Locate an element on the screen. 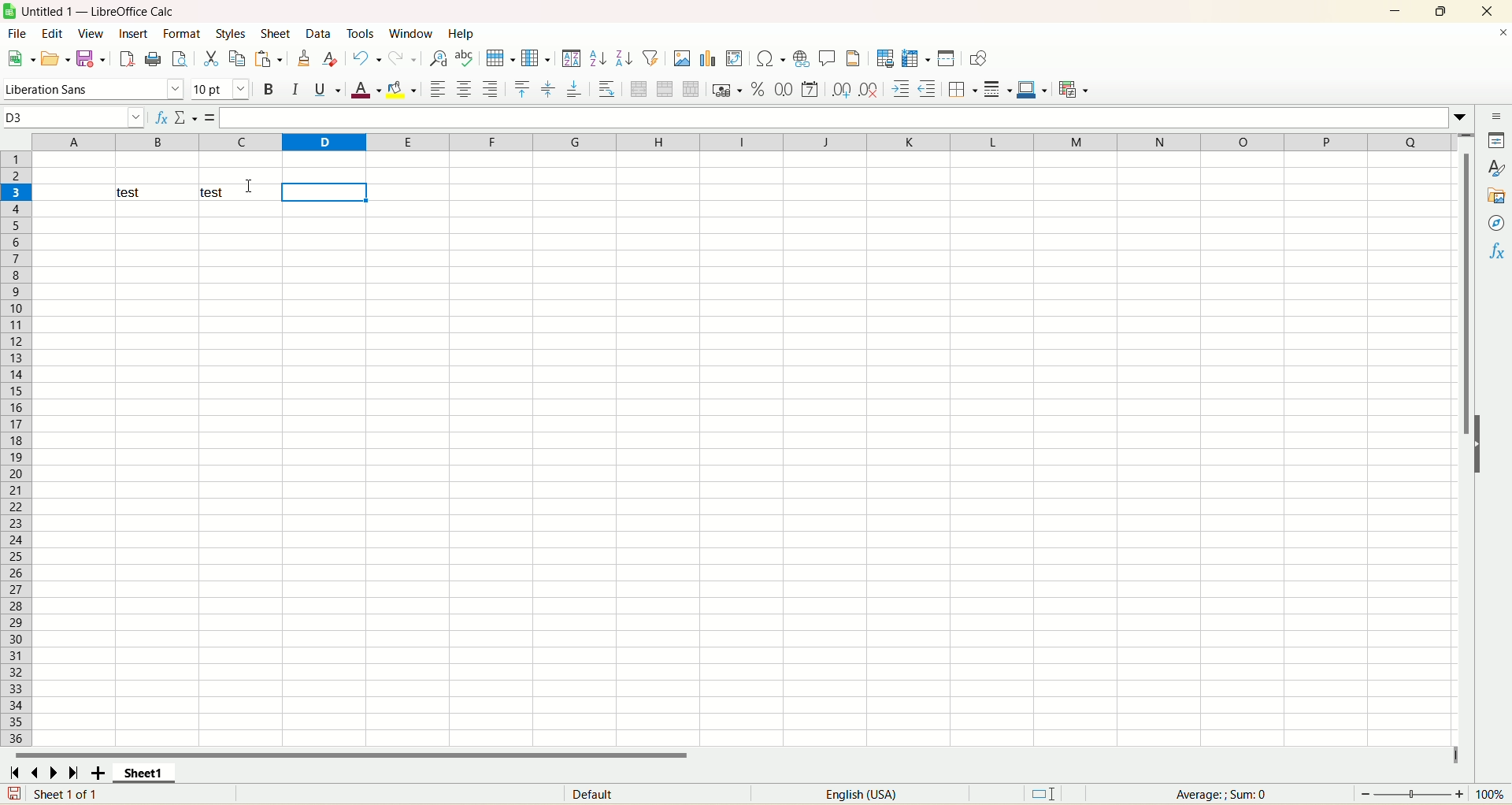 This screenshot has height=805, width=1512. clone formatting is located at coordinates (303, 57).